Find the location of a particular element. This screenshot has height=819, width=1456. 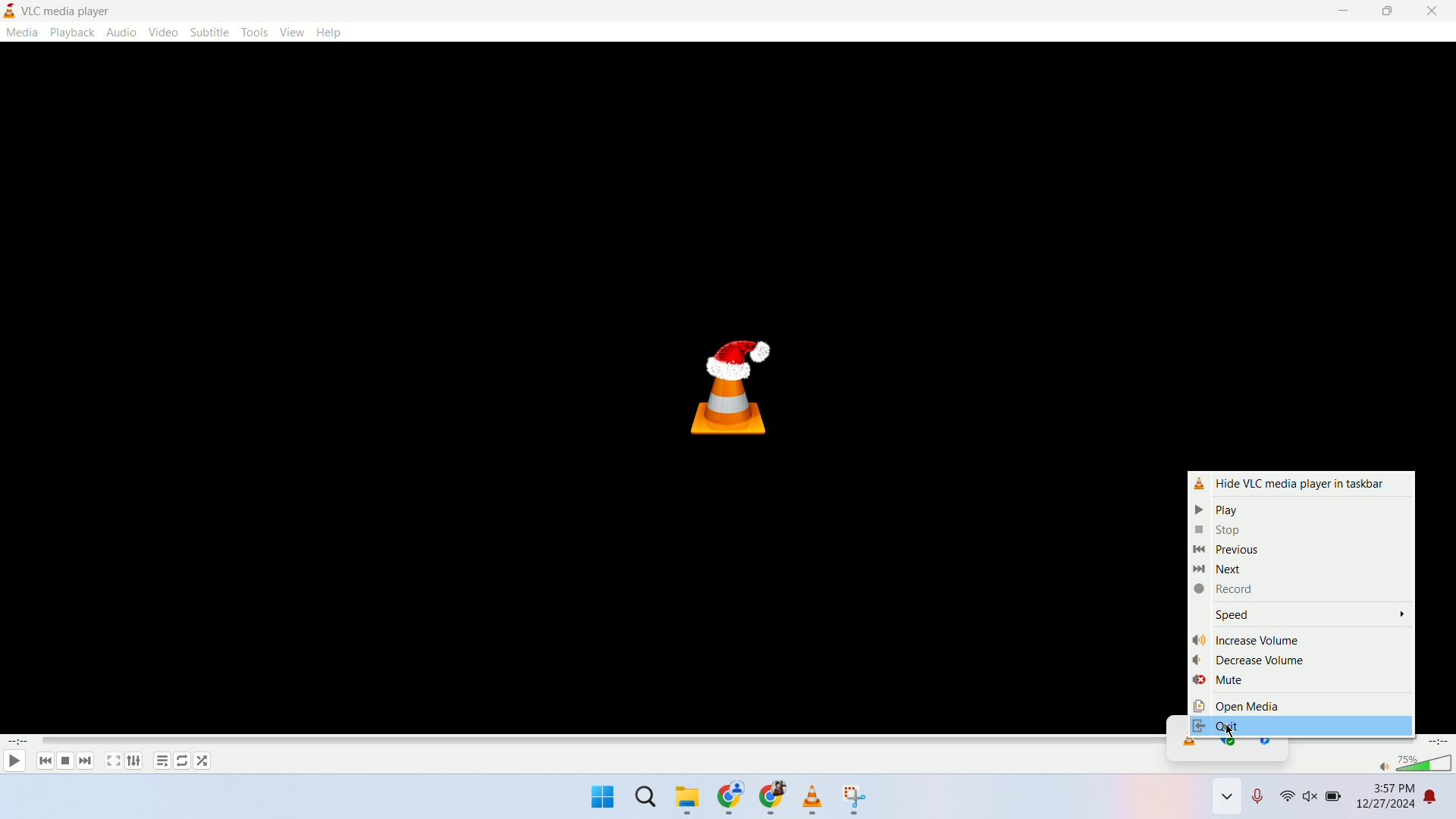

volume is located at coordinates (1312, 800).